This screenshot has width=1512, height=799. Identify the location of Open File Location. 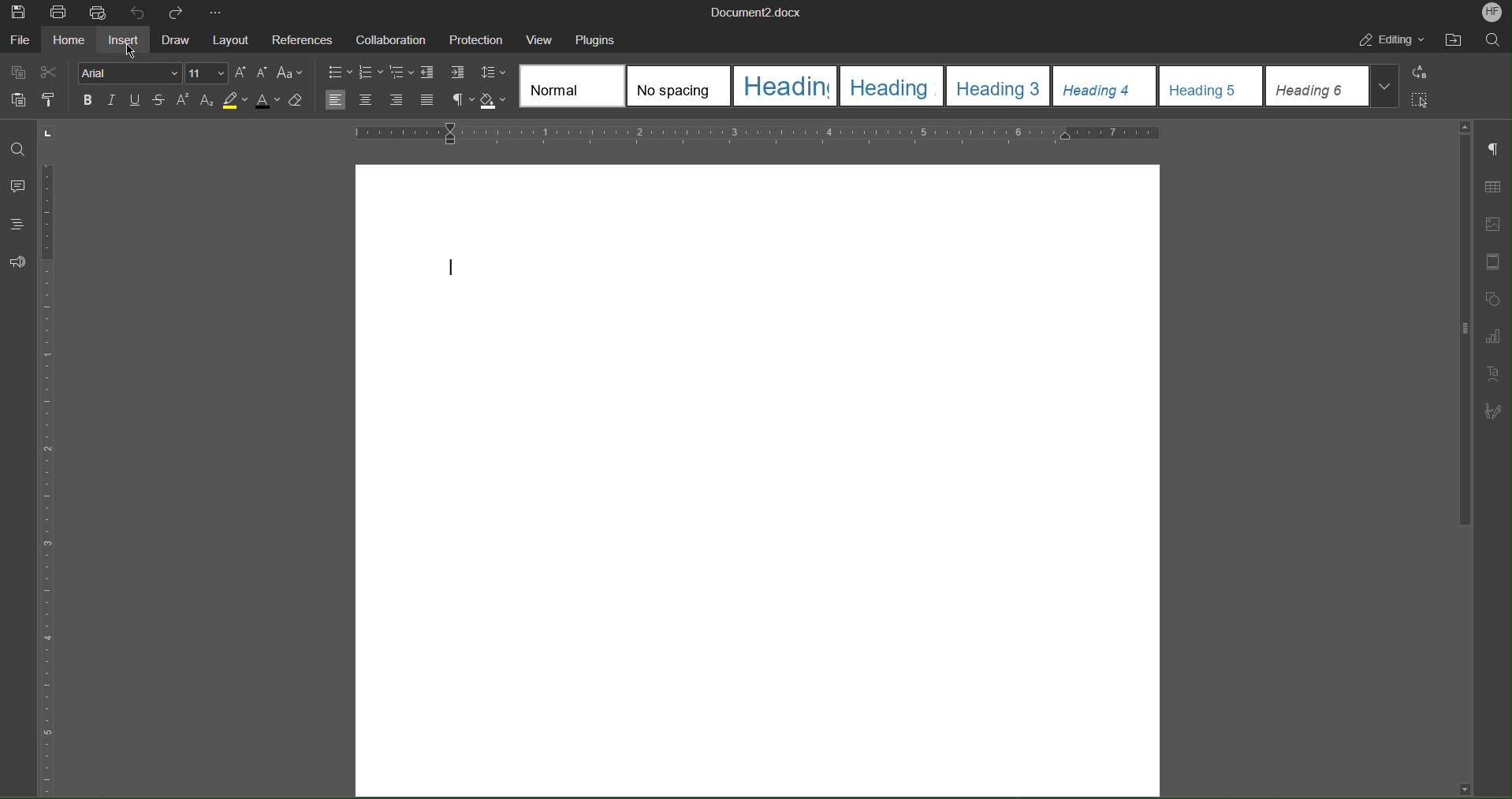
(1456, 39).